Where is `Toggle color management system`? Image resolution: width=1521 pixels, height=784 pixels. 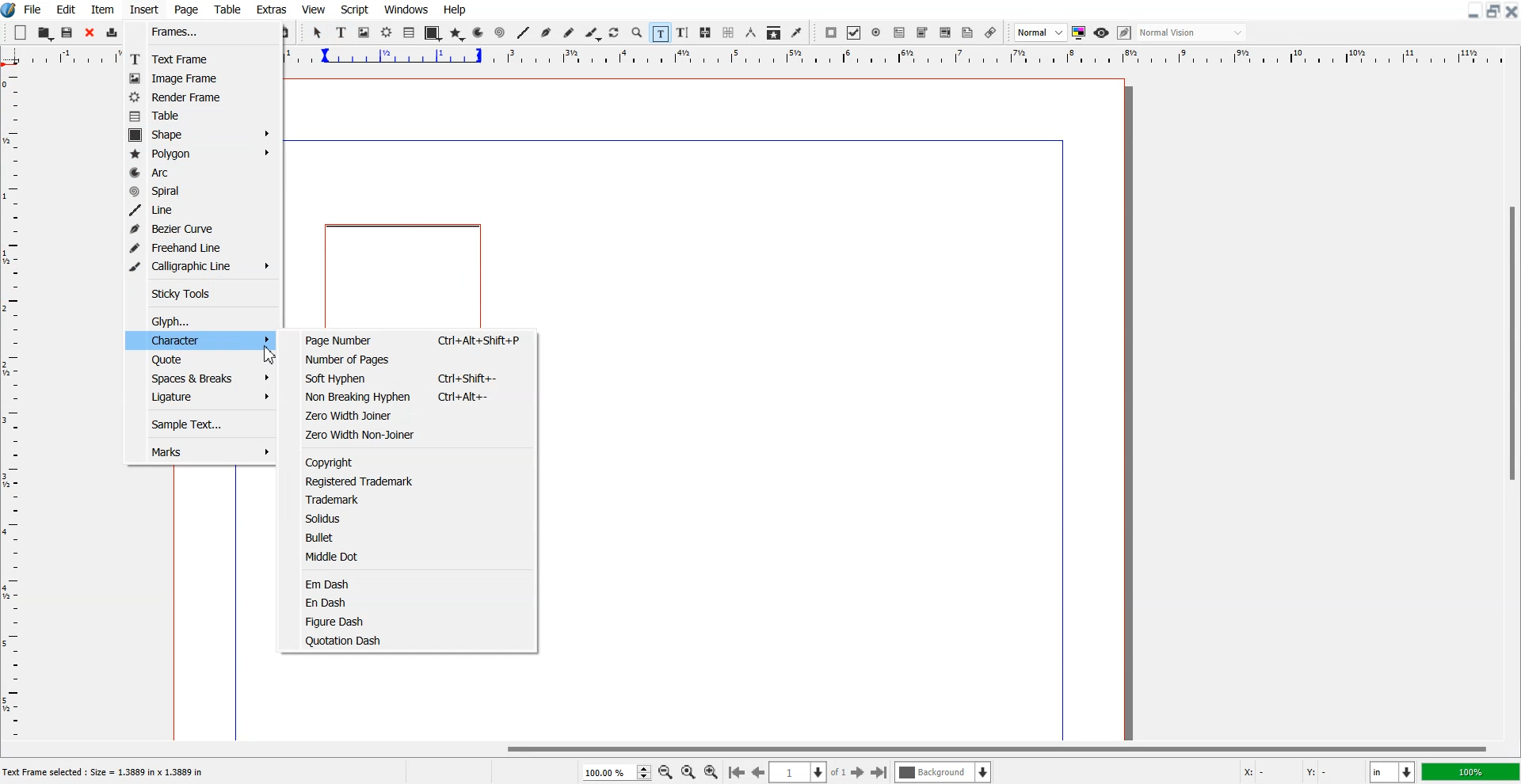
Toggle color management system is located at coordinates (1080, 32).